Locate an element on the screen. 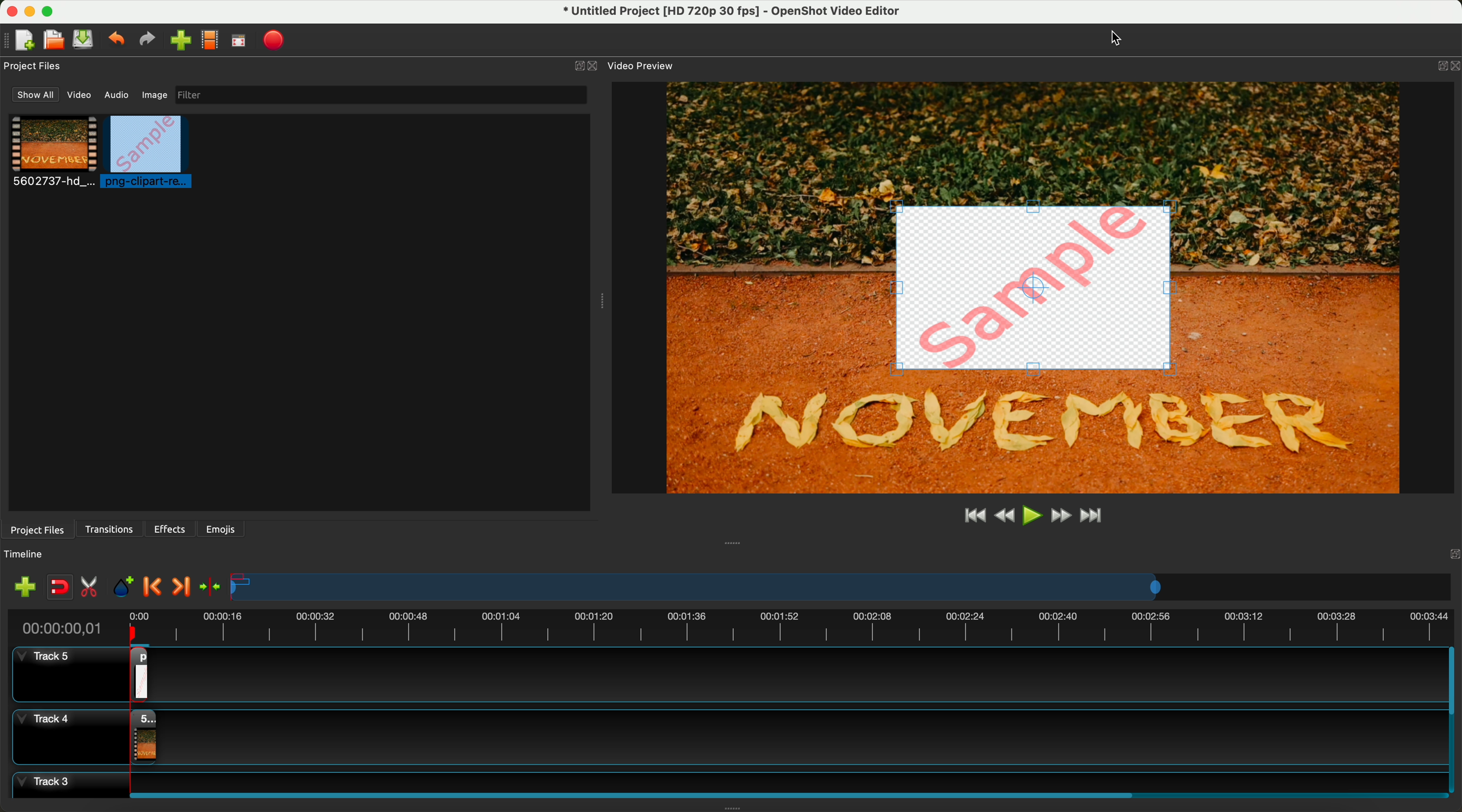 The height and width of the screenshot is (812, 1462). click on image is located at coordinates (150, 153).